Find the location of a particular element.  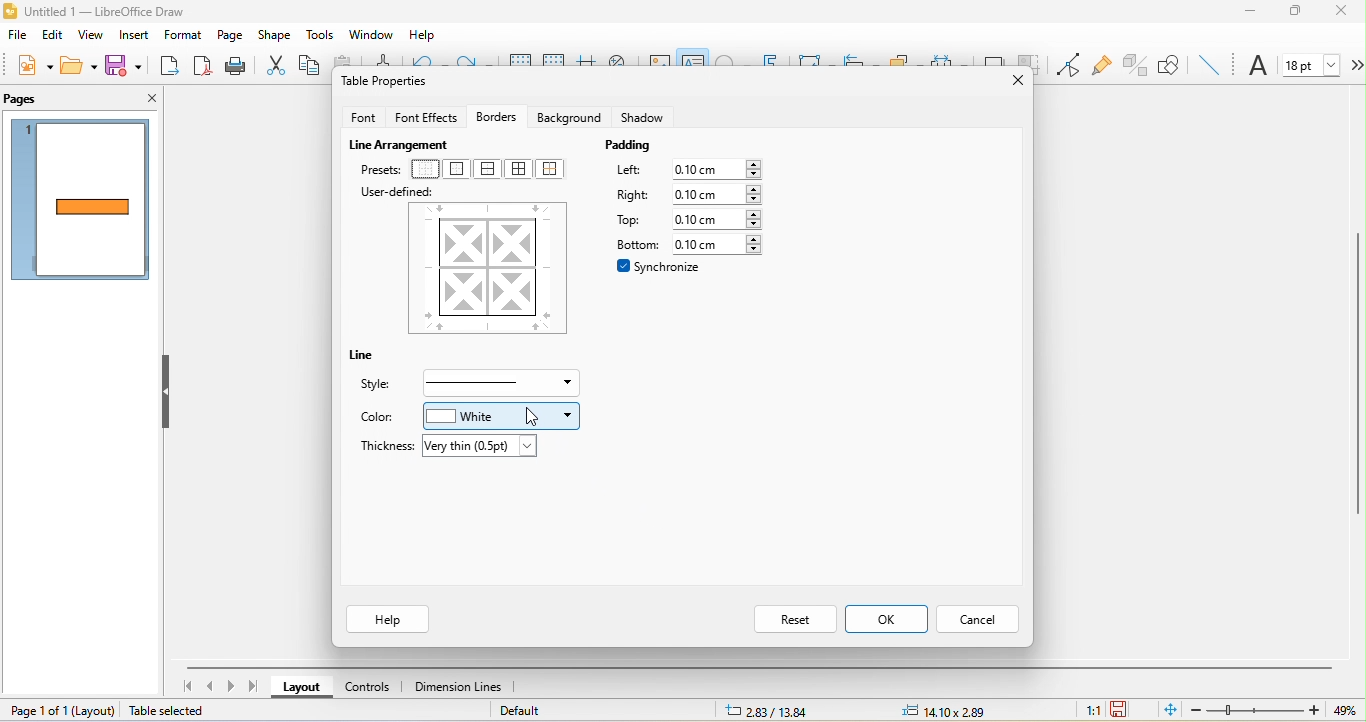

copy is located at coordinates (313, 66).